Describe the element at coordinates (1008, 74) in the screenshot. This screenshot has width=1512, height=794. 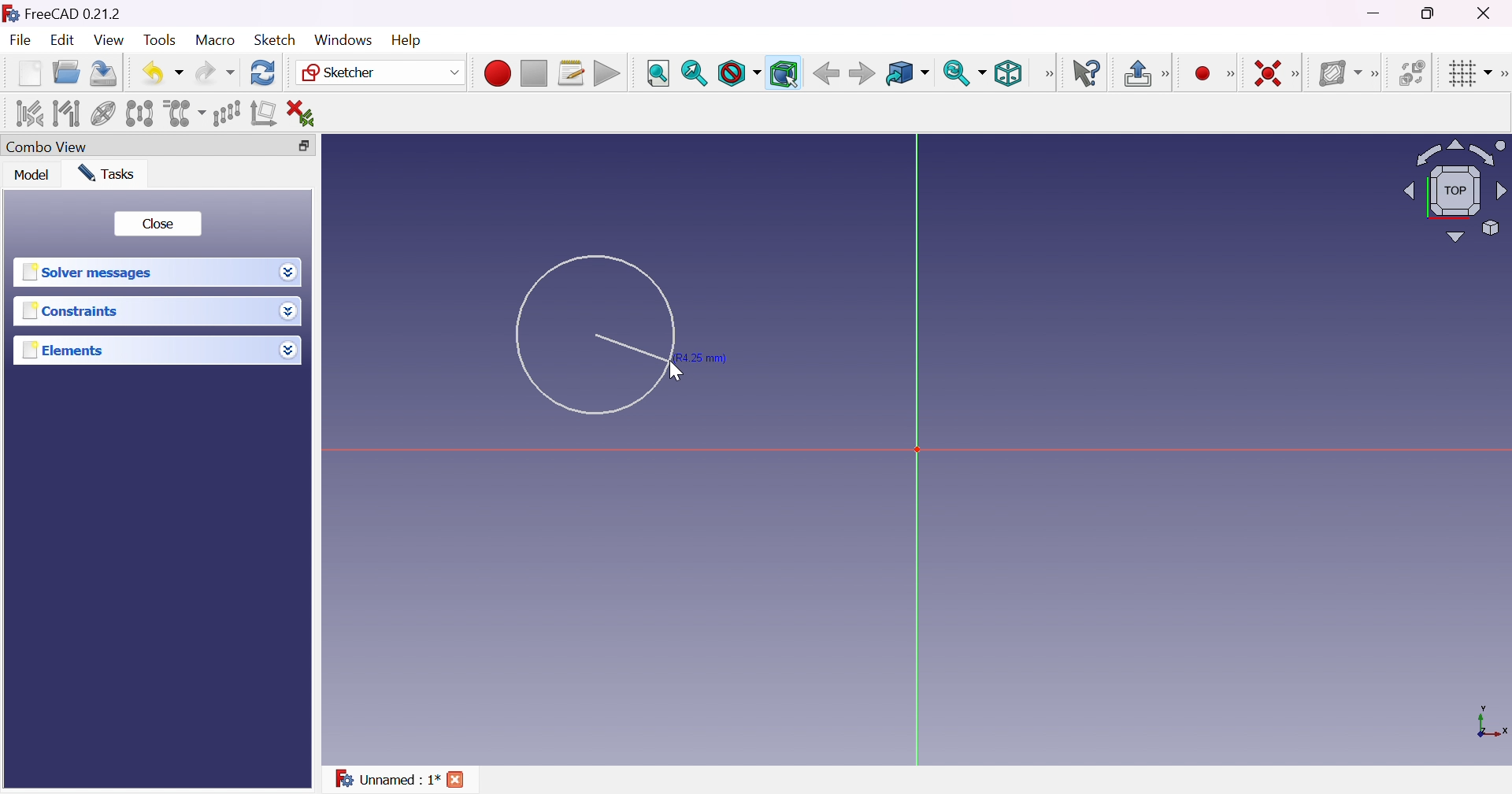
I see `Isometric` at that location.